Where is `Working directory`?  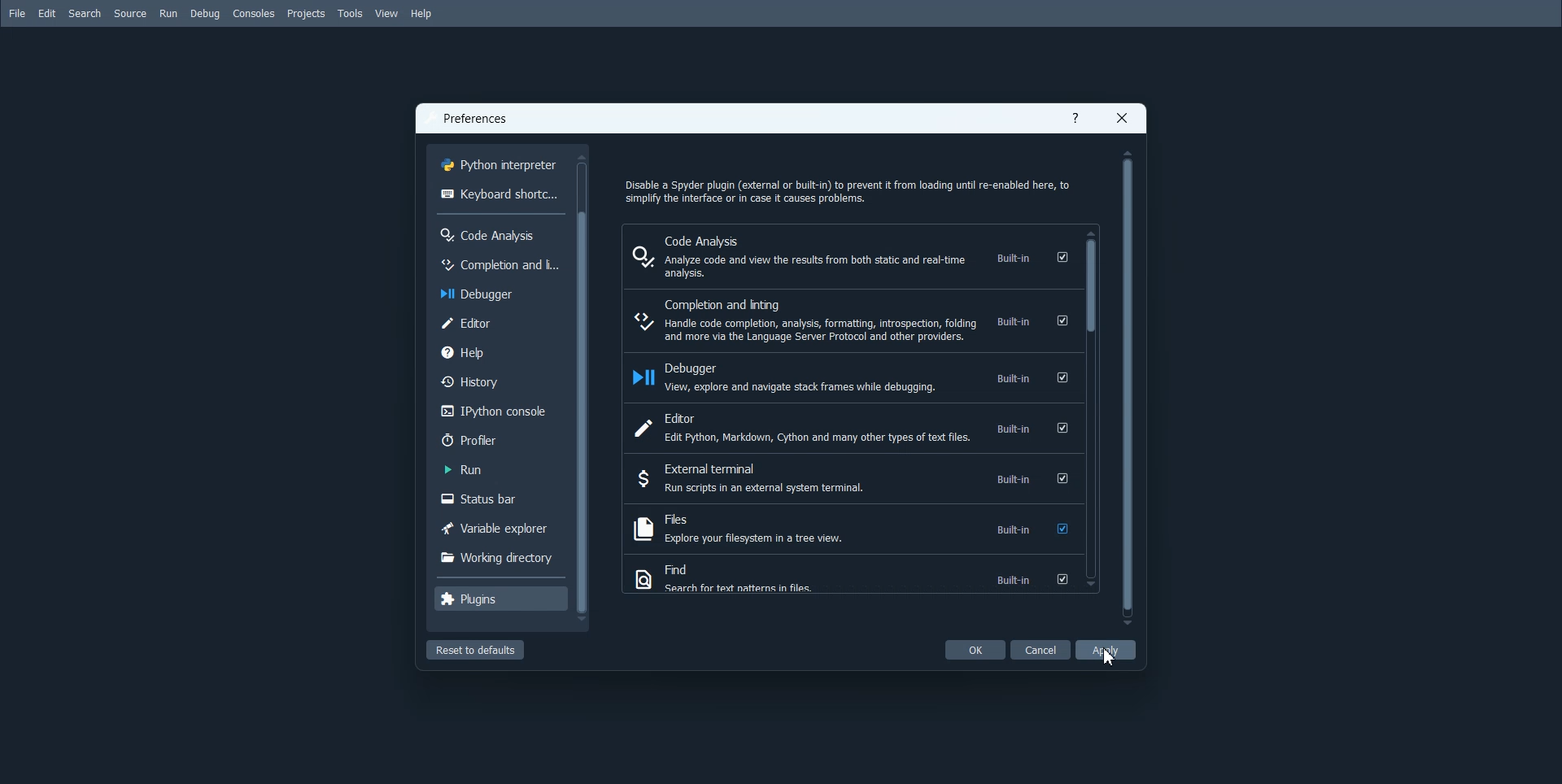 Working directory is located at coordinates (498, 555).